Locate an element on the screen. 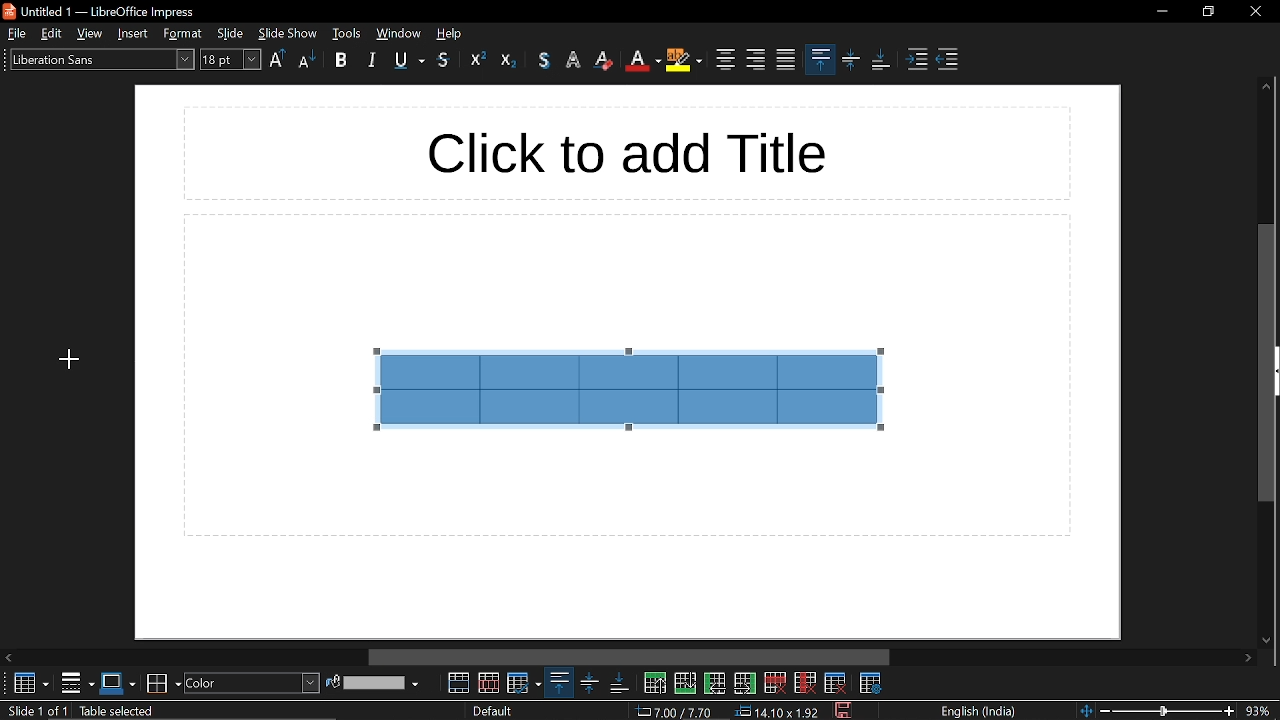 Image resolution: width=1280 pixels, height=720 pixels. center vertically is located at coordinates (586, 683).